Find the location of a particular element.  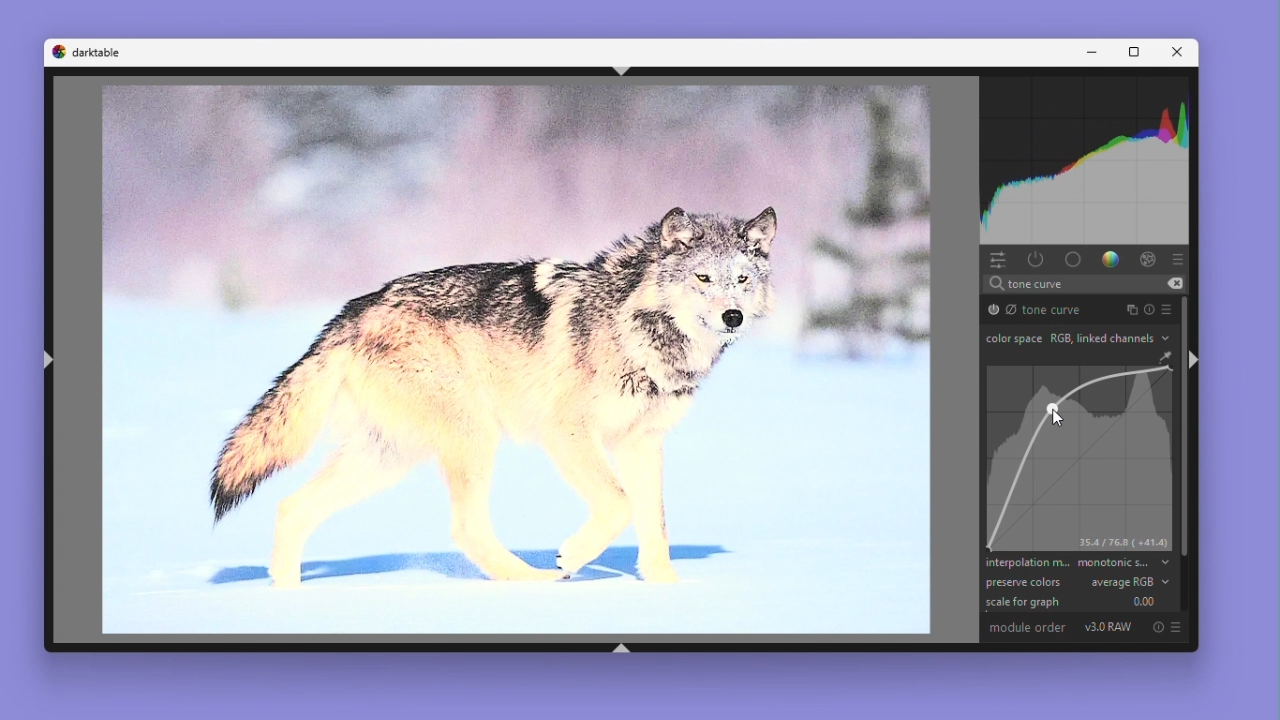

GUI Color Picker is located at coordinates (1163, 358).